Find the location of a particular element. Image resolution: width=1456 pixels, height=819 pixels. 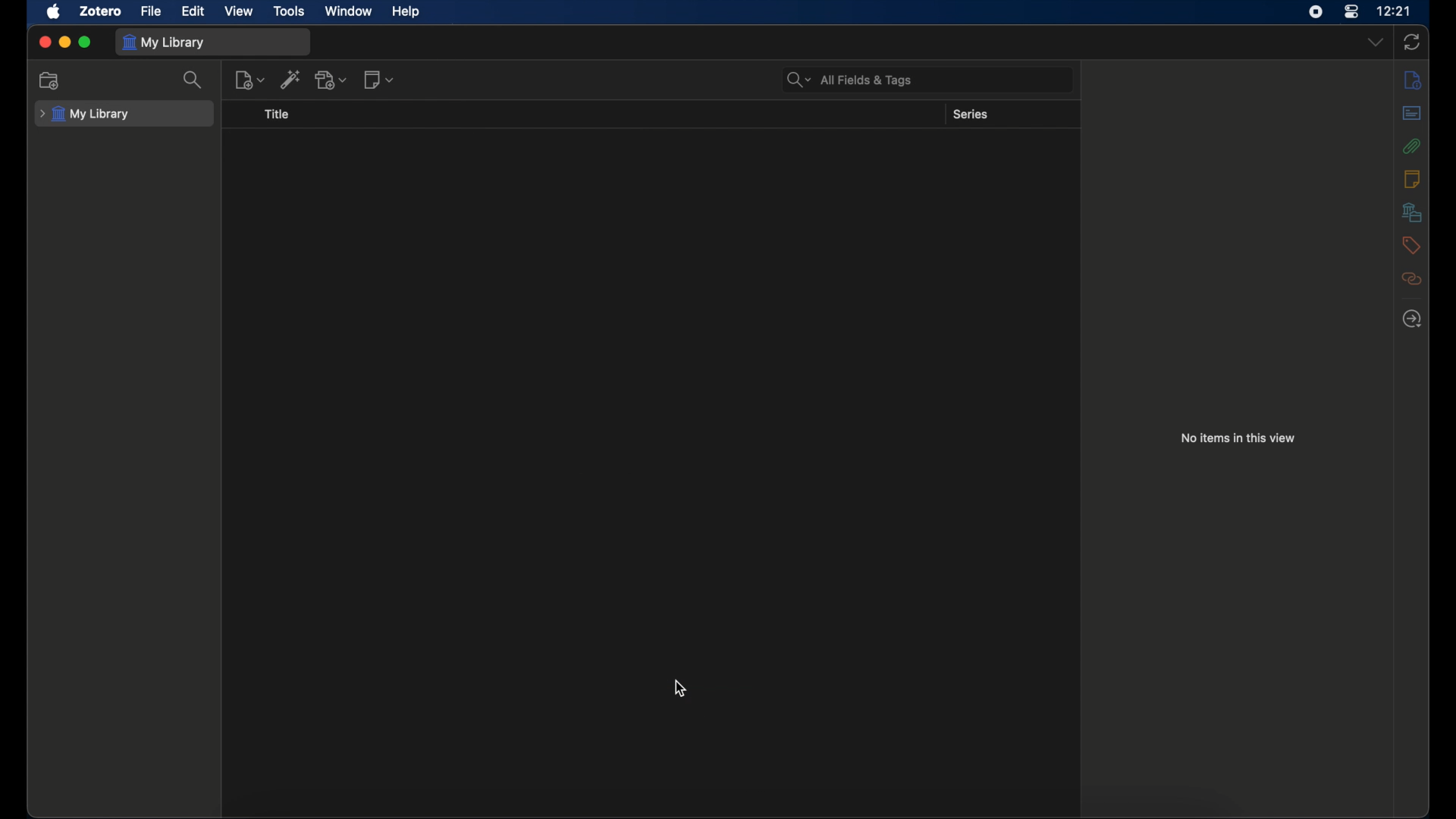

new notes is located at coordinates (378, 80).